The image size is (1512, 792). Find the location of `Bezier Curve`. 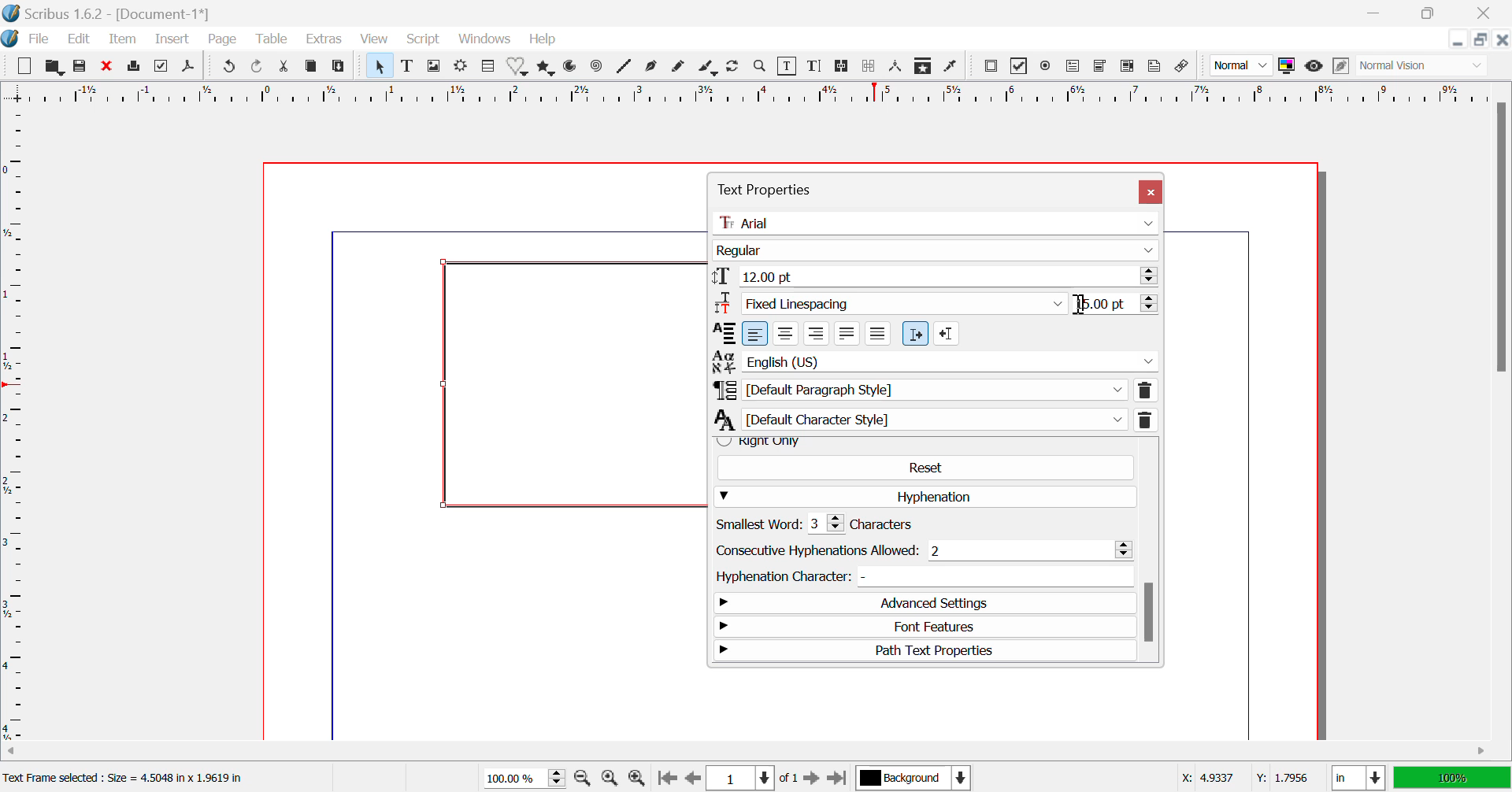

Bezier Curve is located at coordinates (654, 68).